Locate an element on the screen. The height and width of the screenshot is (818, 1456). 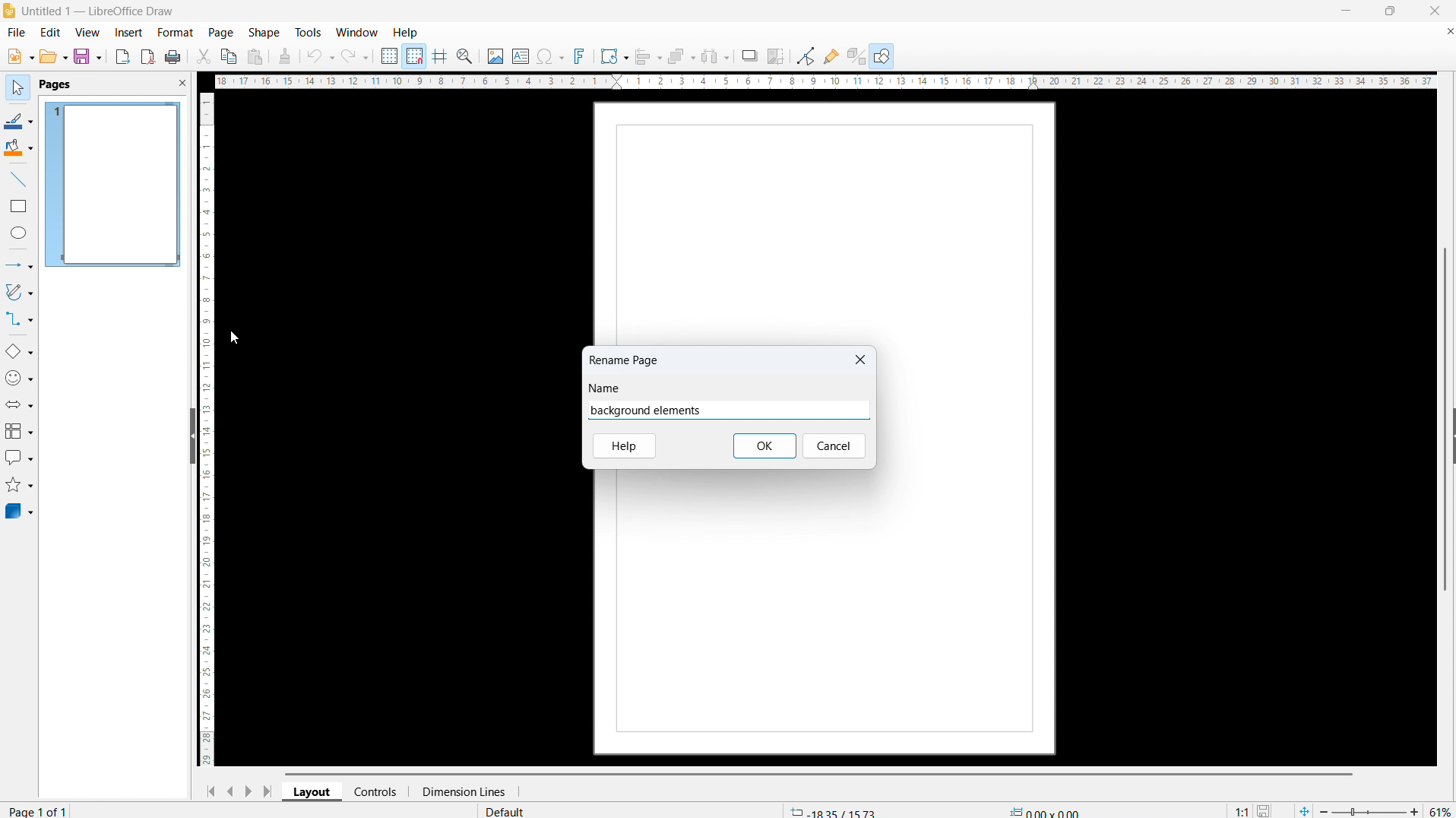
undo is located at coordinates (321, 56).